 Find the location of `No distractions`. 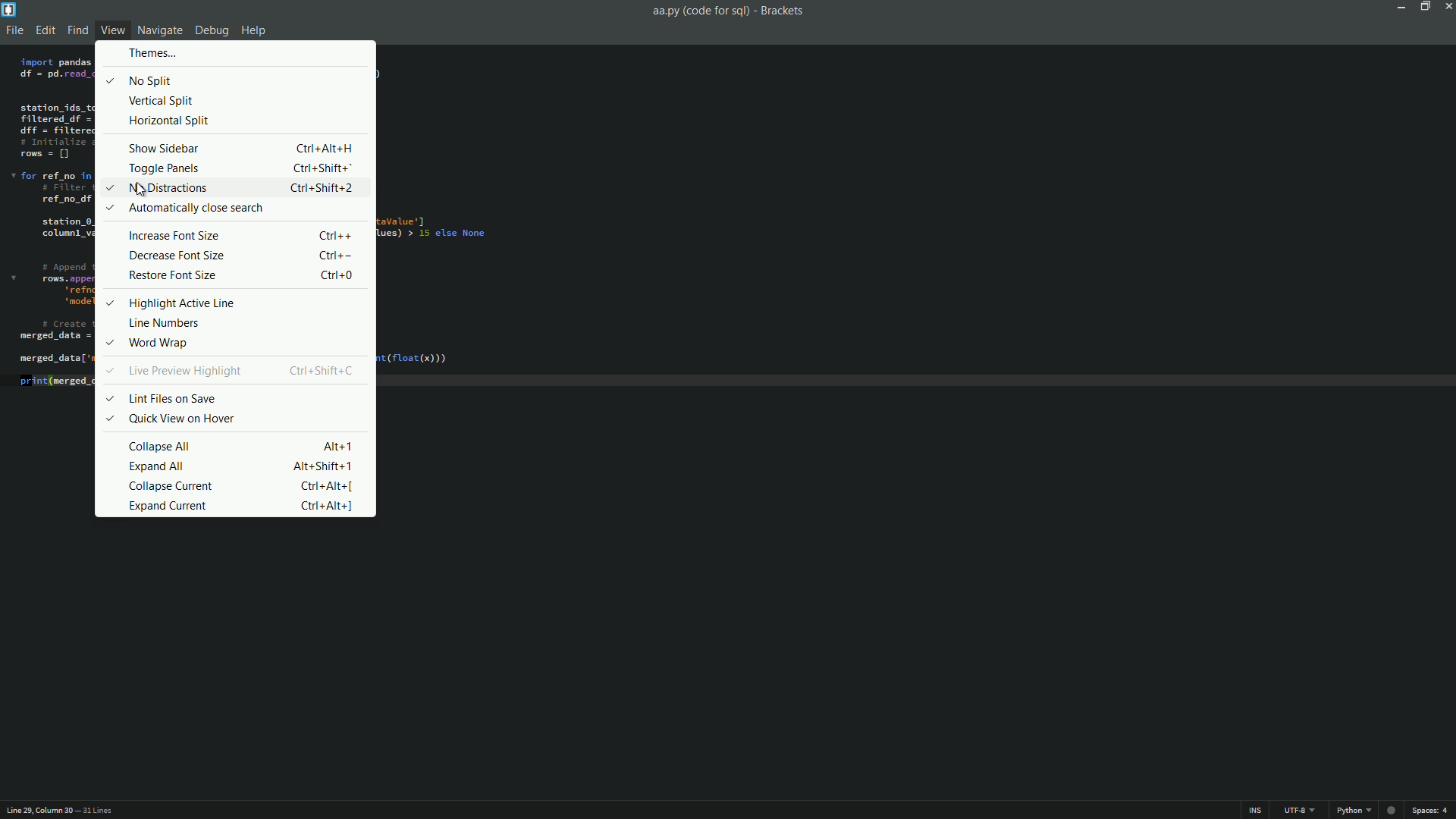

No distractions is located at coordinates (233, 188).